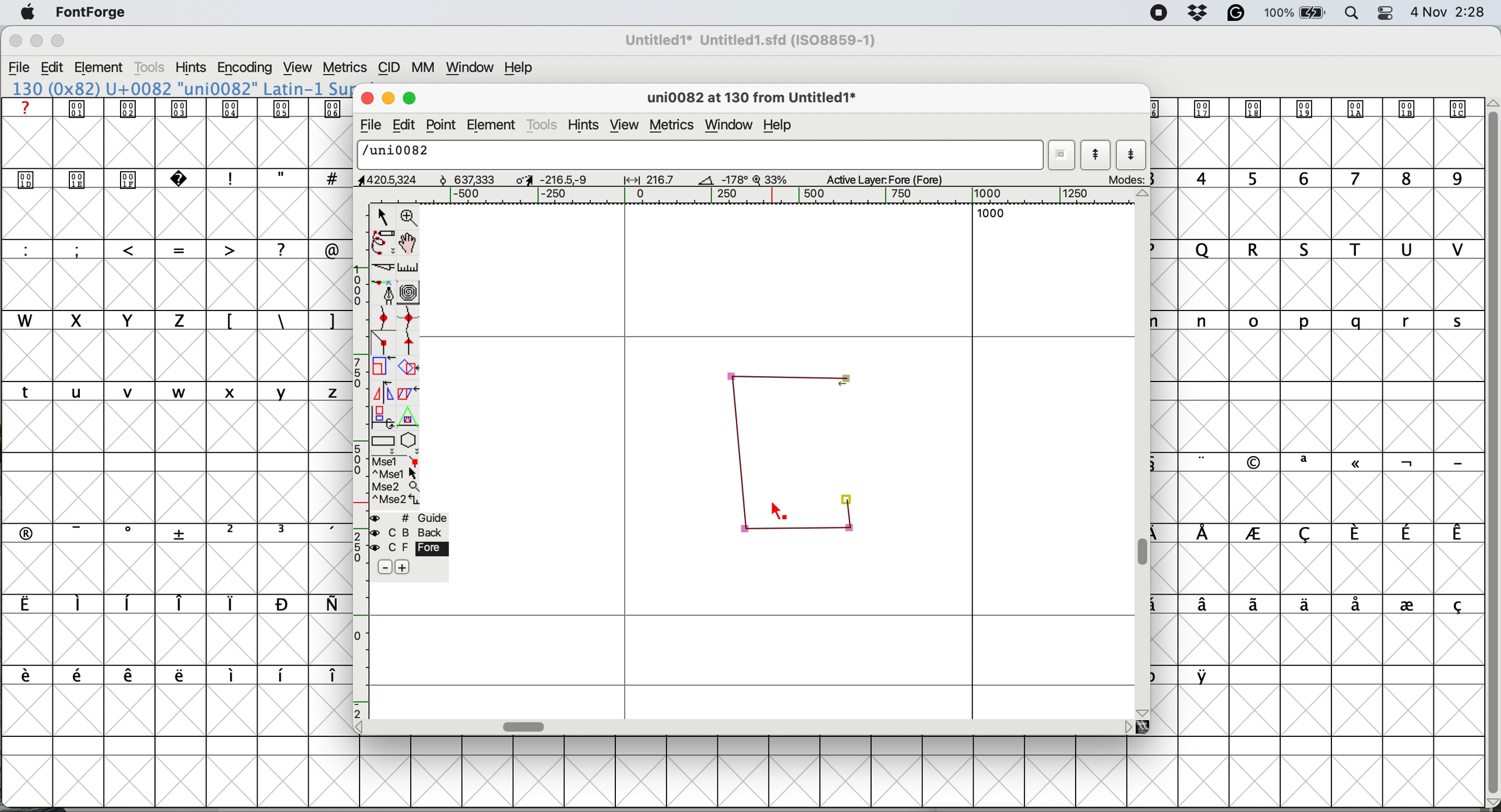 Image resolution: width=1501 pixels, height=812 pixels. What do you see at coordinates (778, 511) in the screenshot?
I see `cursor` at bounding box center [778, 511].